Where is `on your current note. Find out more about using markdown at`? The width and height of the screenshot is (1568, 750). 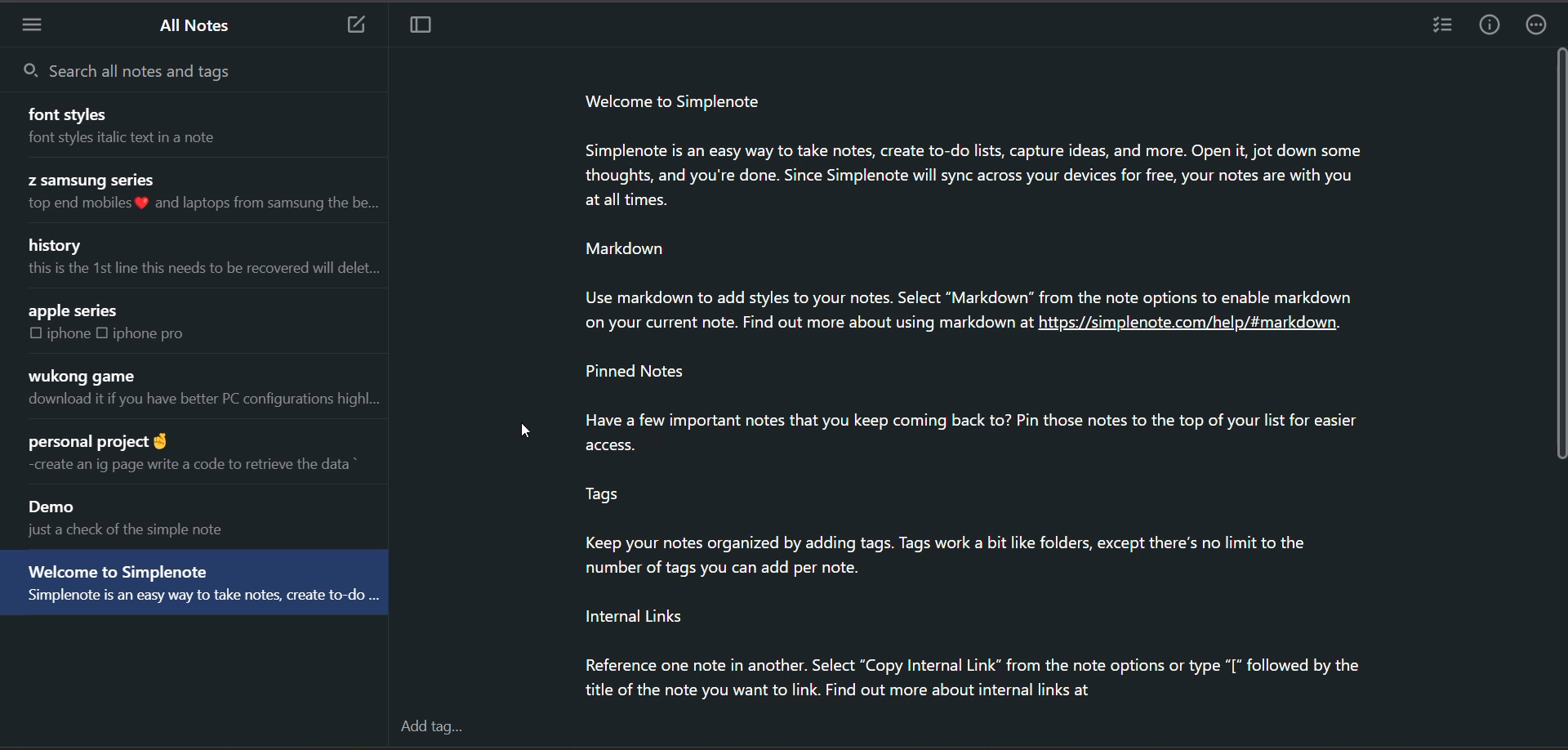
on your current note. Find out more about using markdown at is located at coordinates (791, 324).